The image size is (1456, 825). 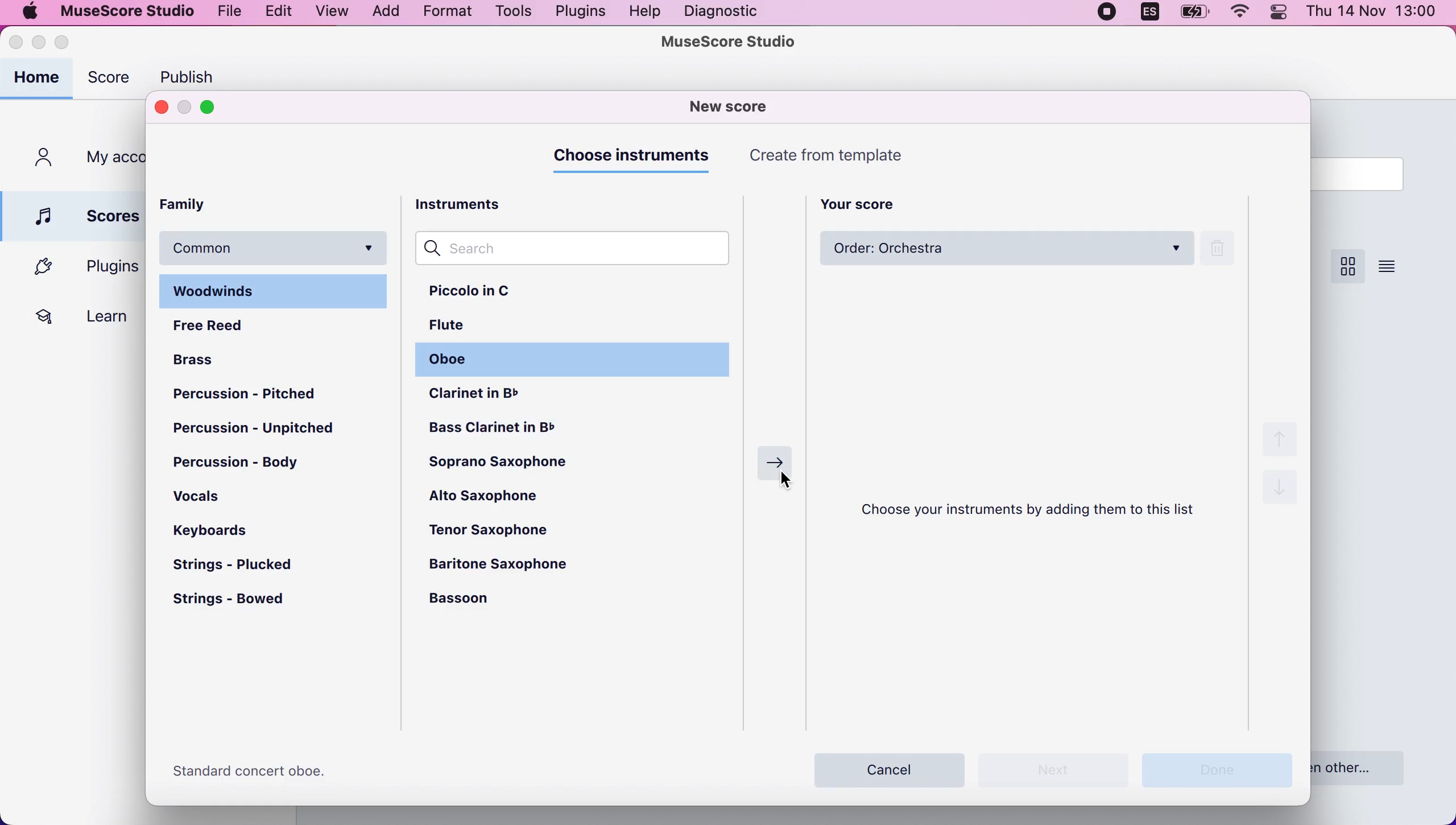 I want to click on mac logo, so click(x=28, y=11).